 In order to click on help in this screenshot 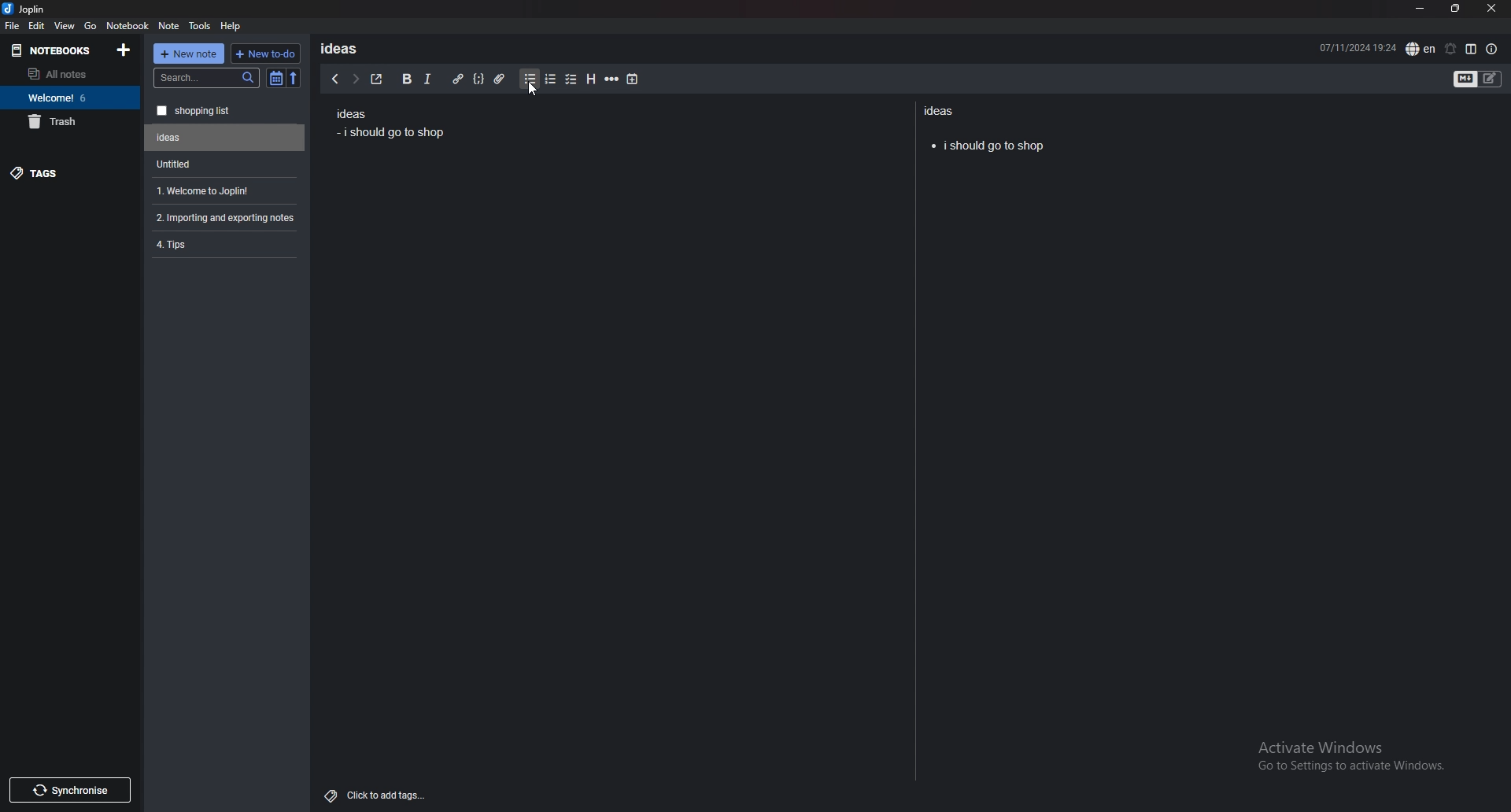, I will do `click(231, 25)`.